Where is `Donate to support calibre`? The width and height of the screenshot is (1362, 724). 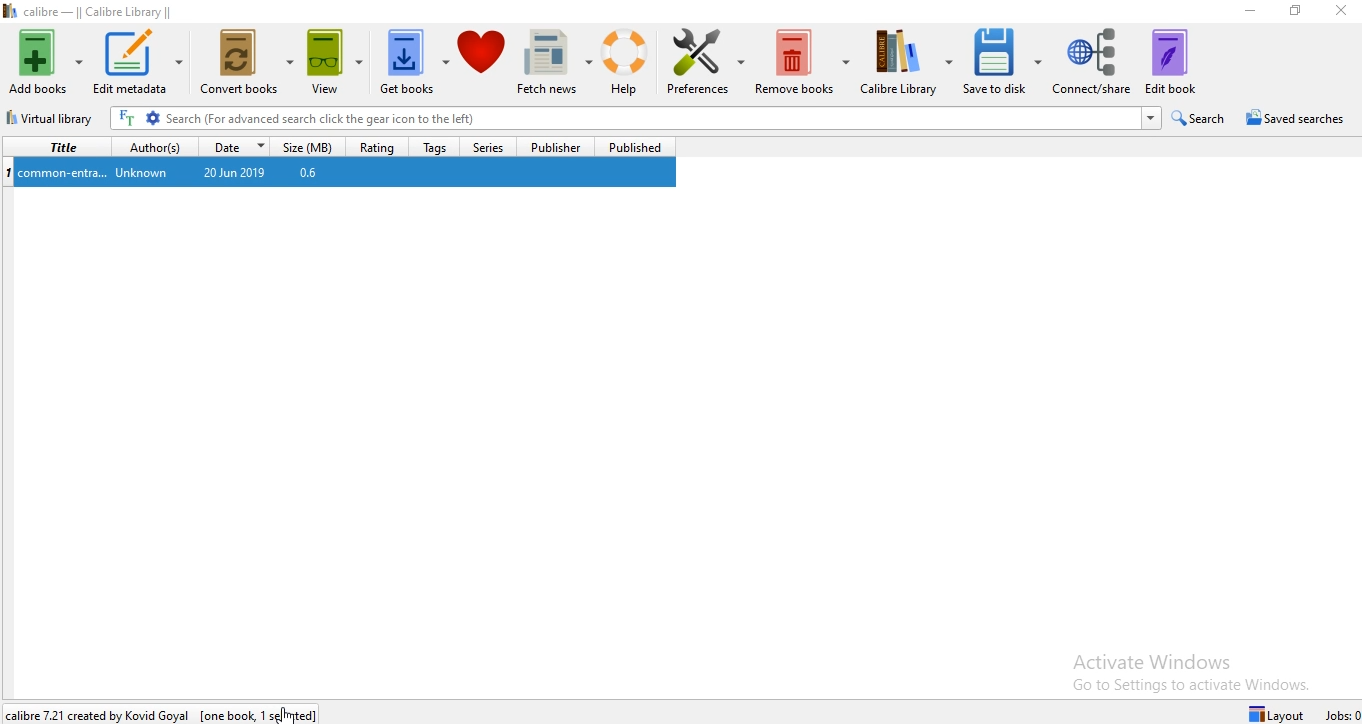
Donate to support calibre is located at coordinates (483, 64).